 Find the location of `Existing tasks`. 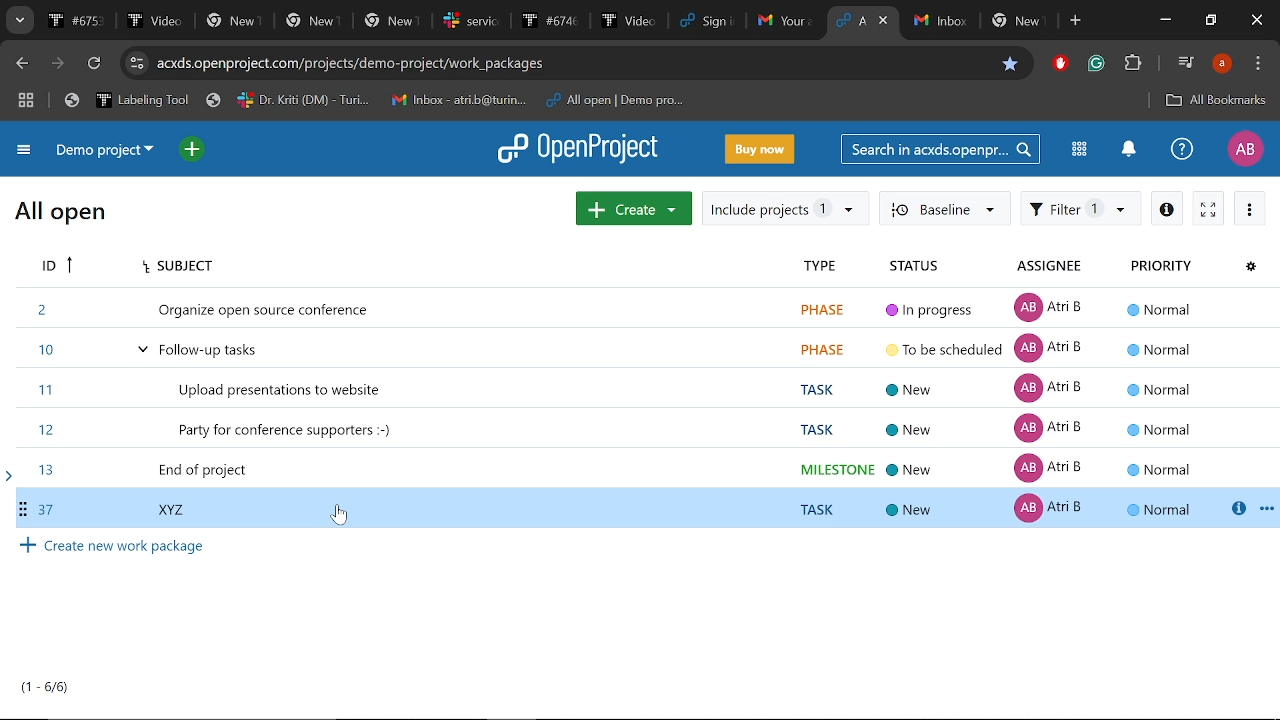

Existing tasks is located at coordinates (639, 386).